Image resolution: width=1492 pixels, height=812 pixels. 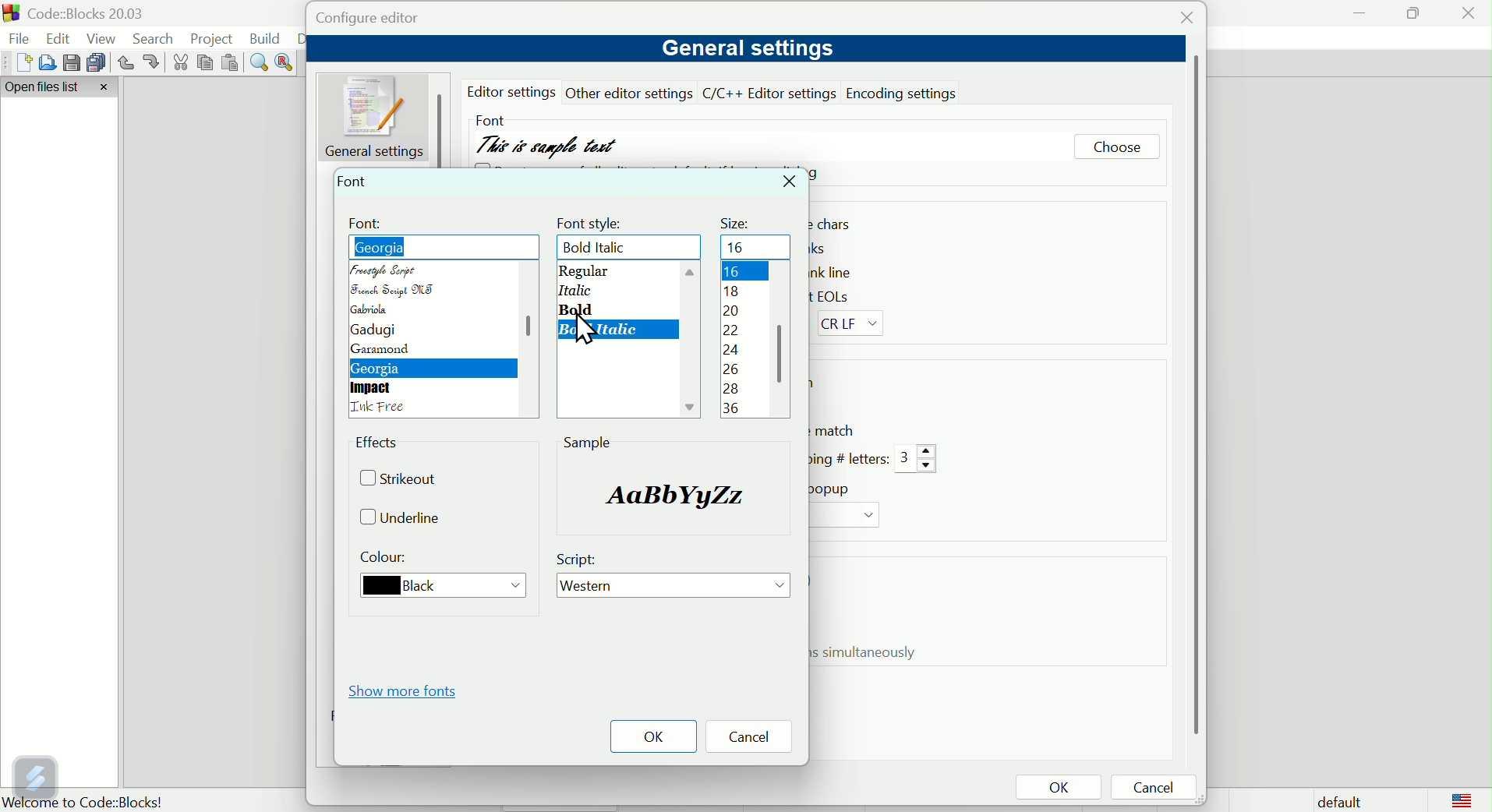 I want to click on 20, so click(x=731, y=312).